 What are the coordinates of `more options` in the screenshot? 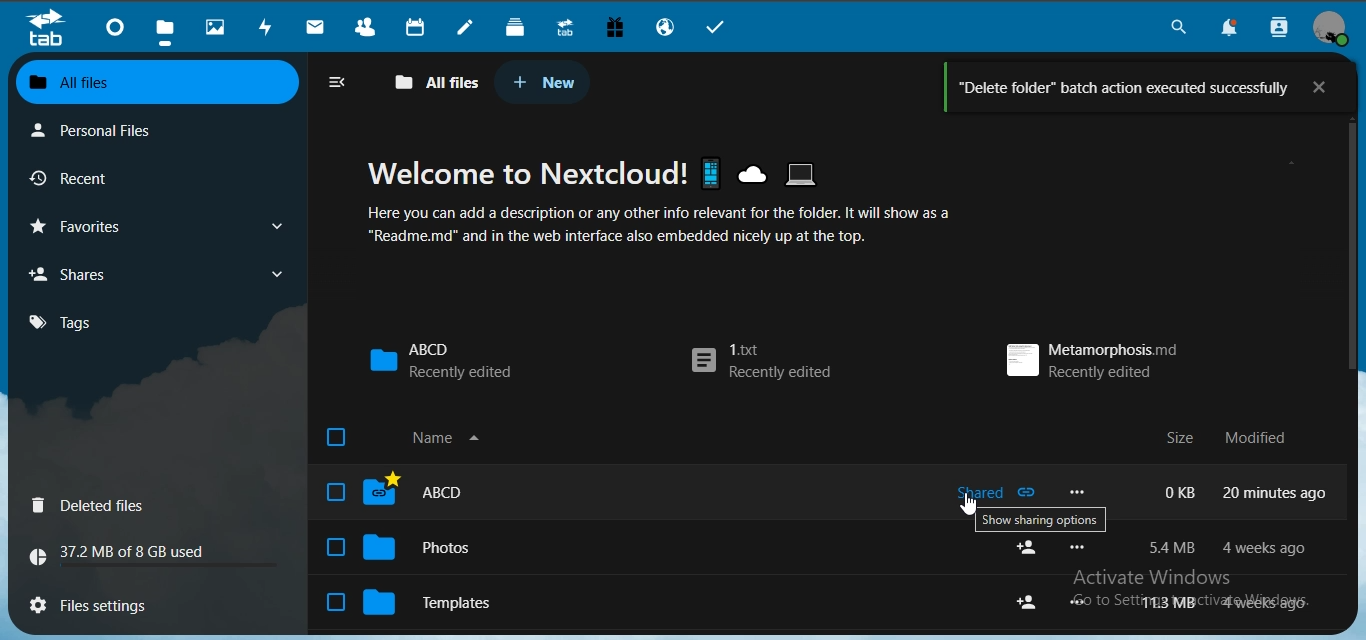 It's located at (1075, 491).